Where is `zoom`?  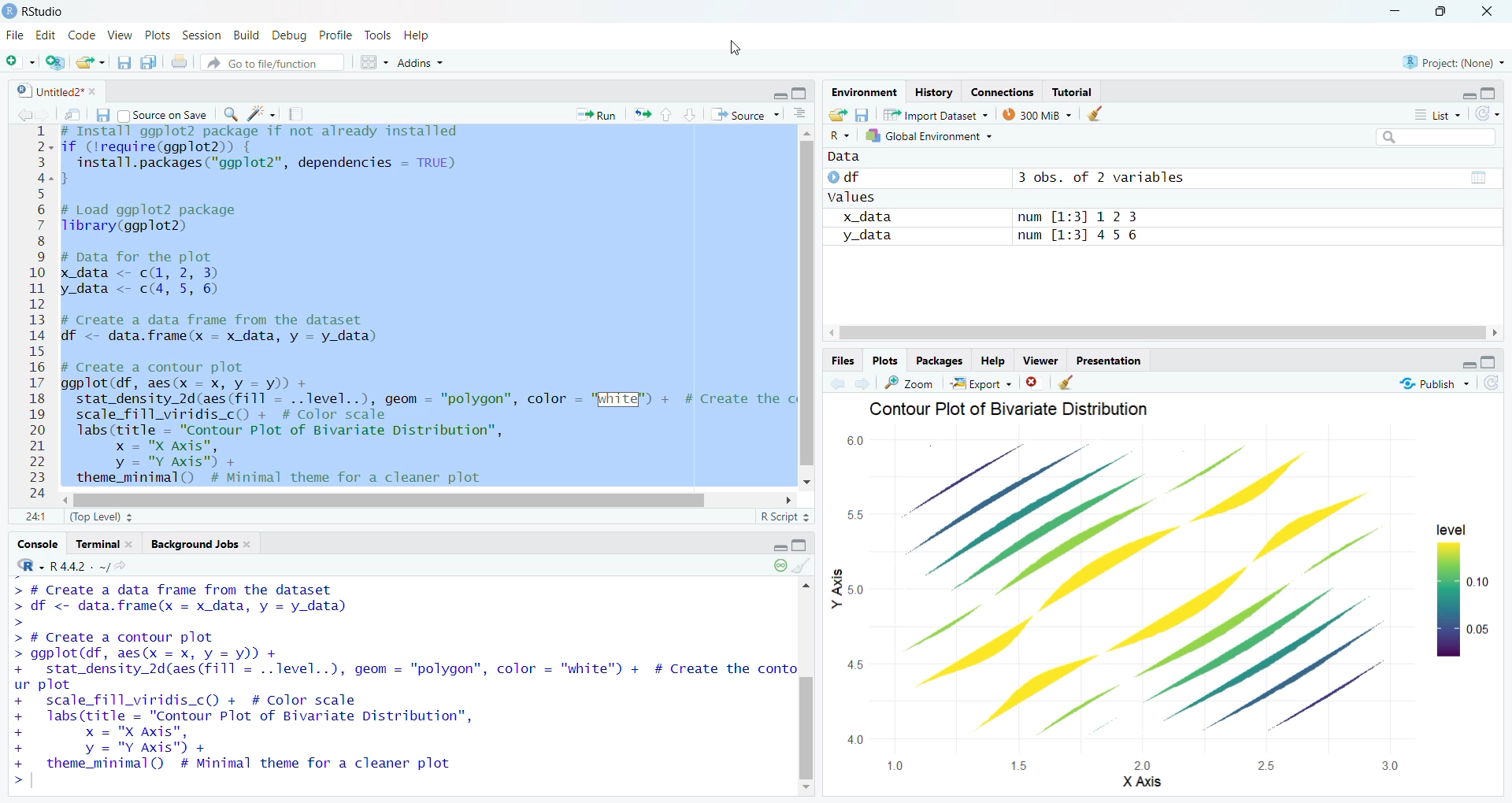
zoom is located at coordinates (909, 383).